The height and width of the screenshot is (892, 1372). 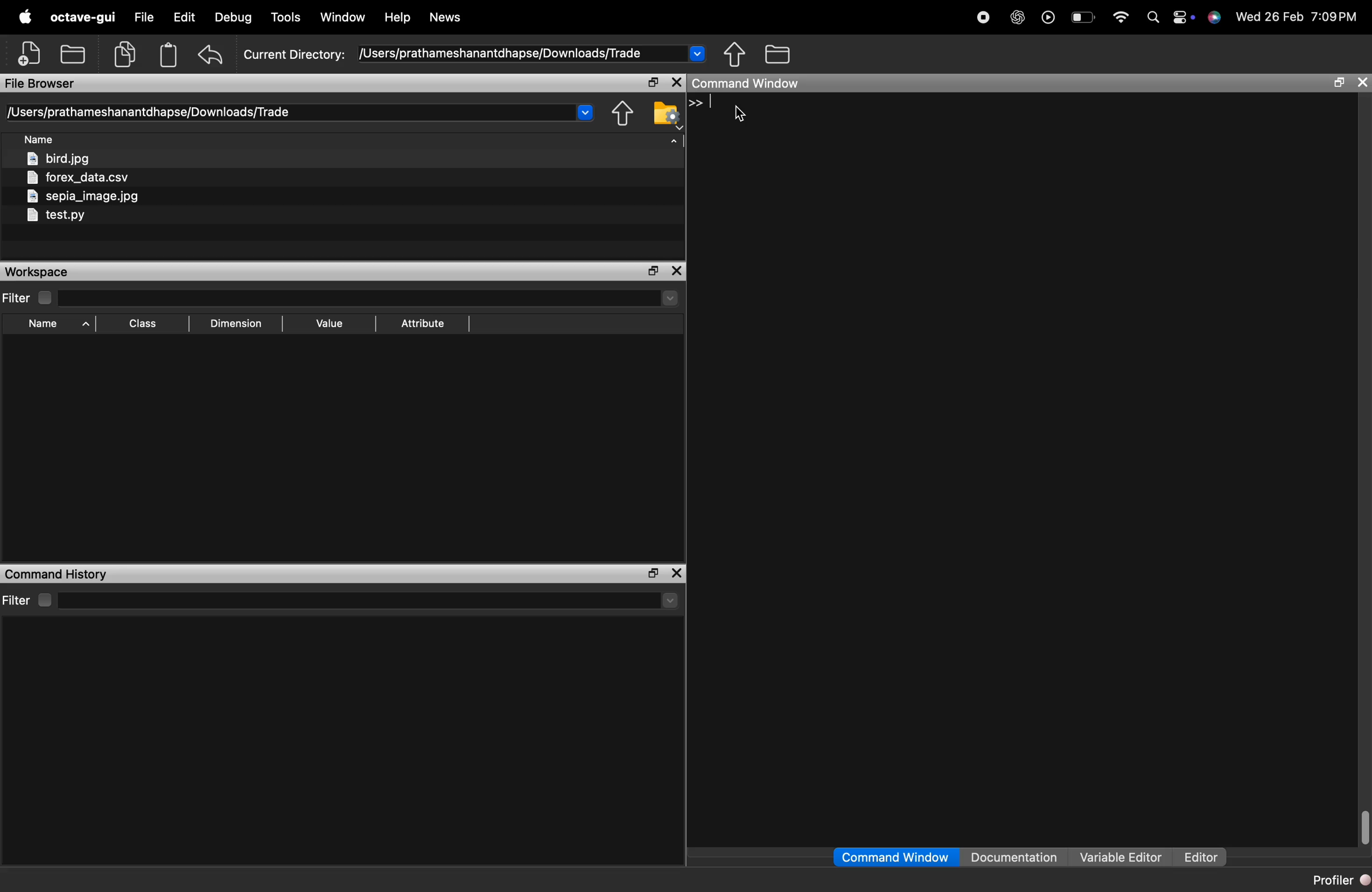 What do you see at coordinates (126, 55) in the screenshot?
I see `copy` at bounding box center [126, 55].